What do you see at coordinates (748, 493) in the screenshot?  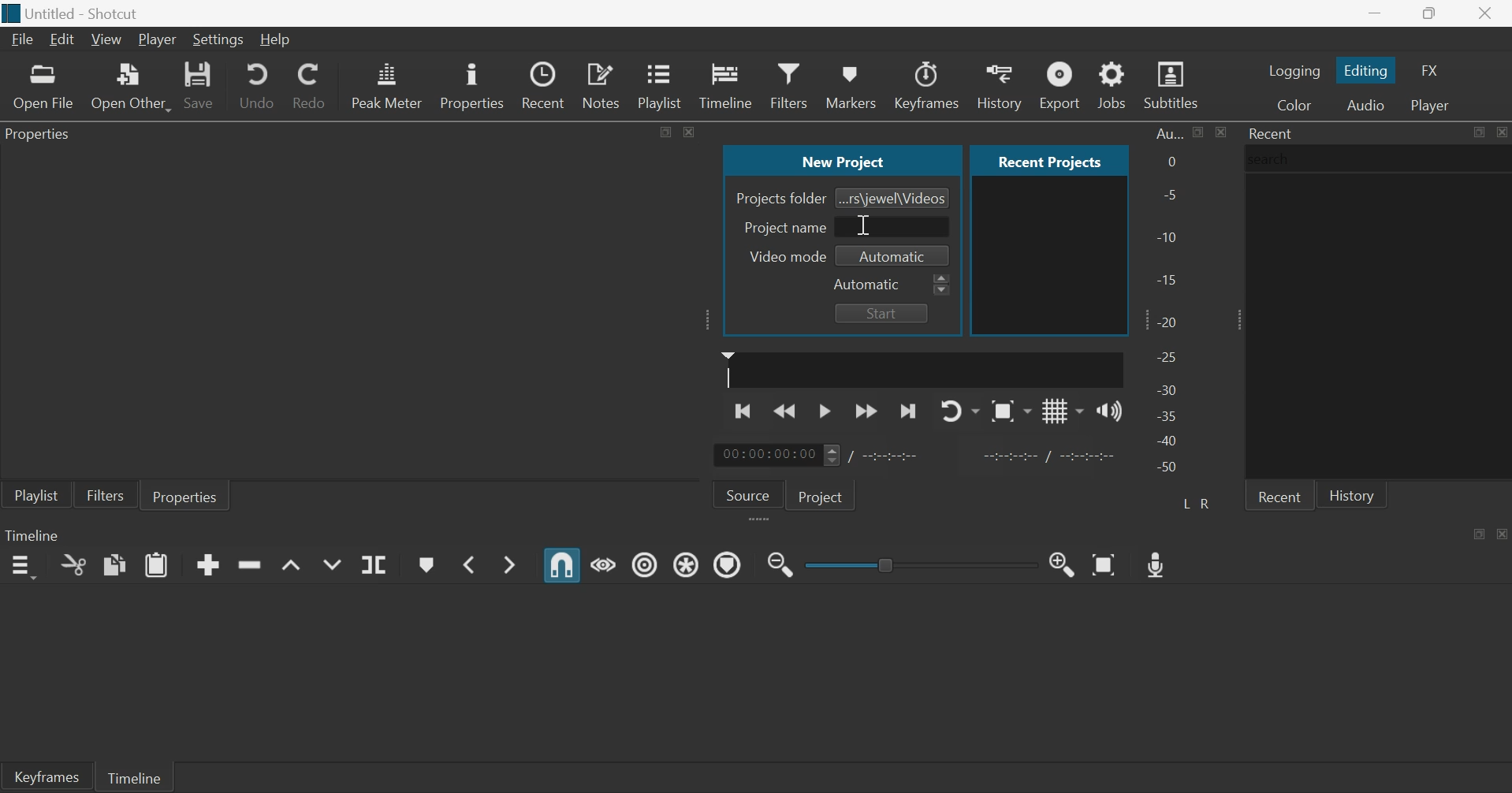 I see `Source` at bounding box center [748, 493].